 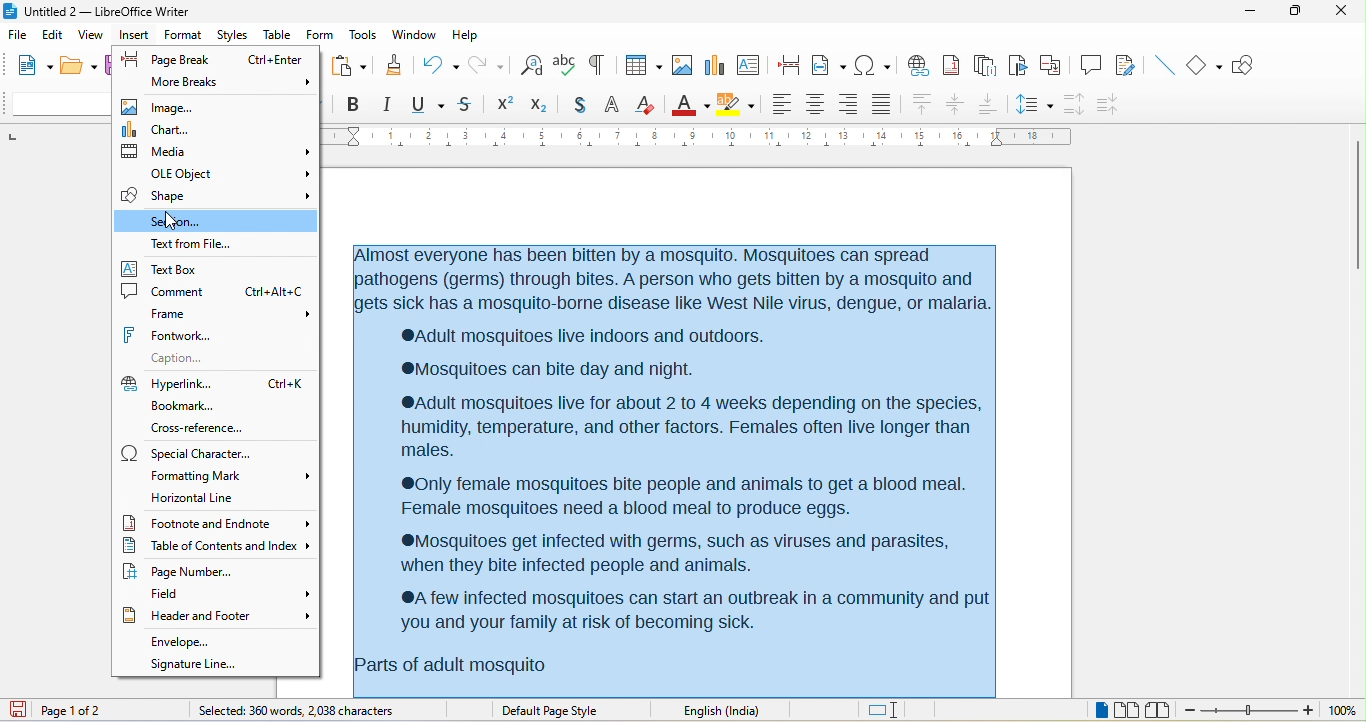 I want to click on italic, so click(x=385, y=103).